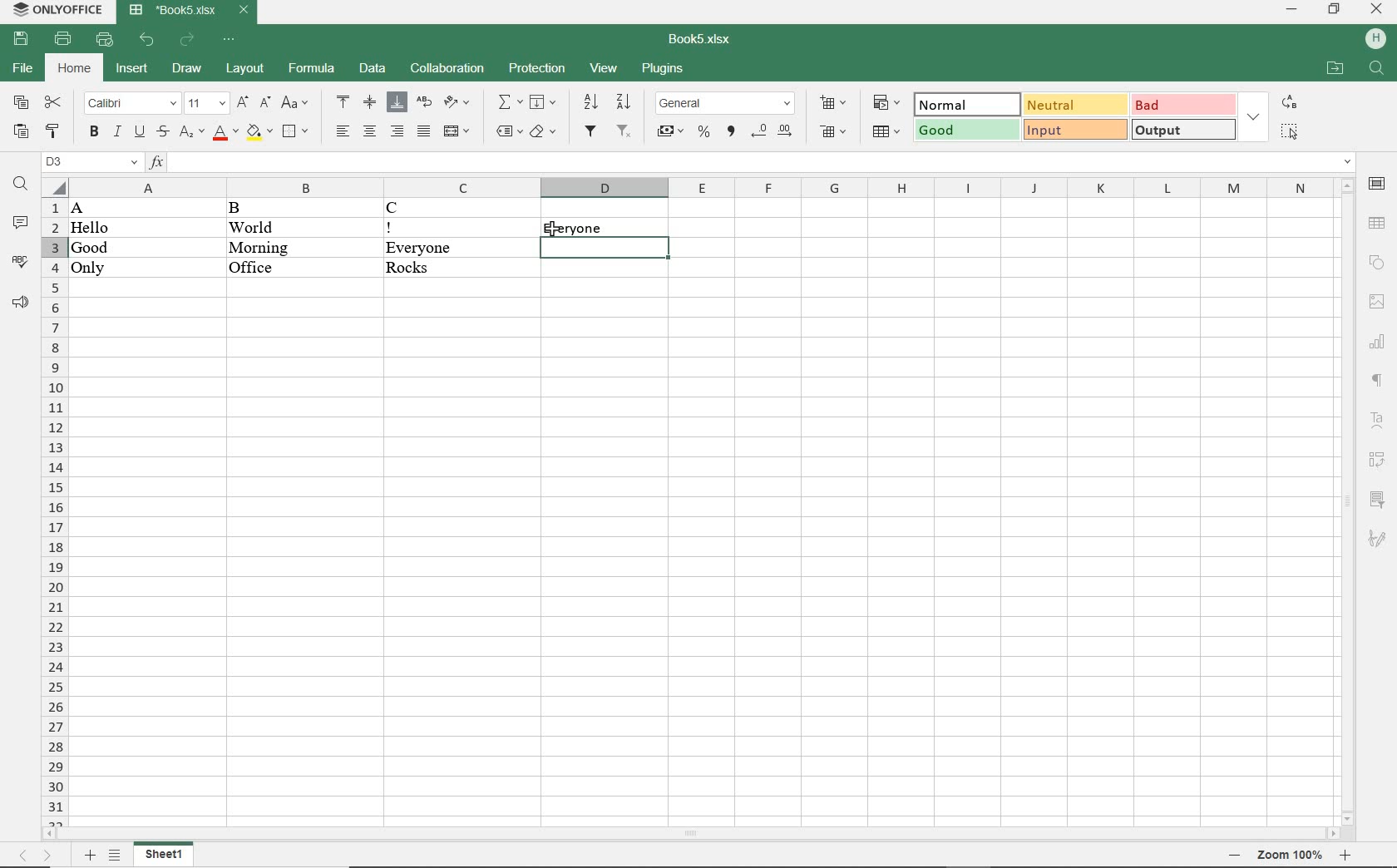 The height and width of the screenshot is (868, 1397). I want to click on zoom in, so click(1347, 856).